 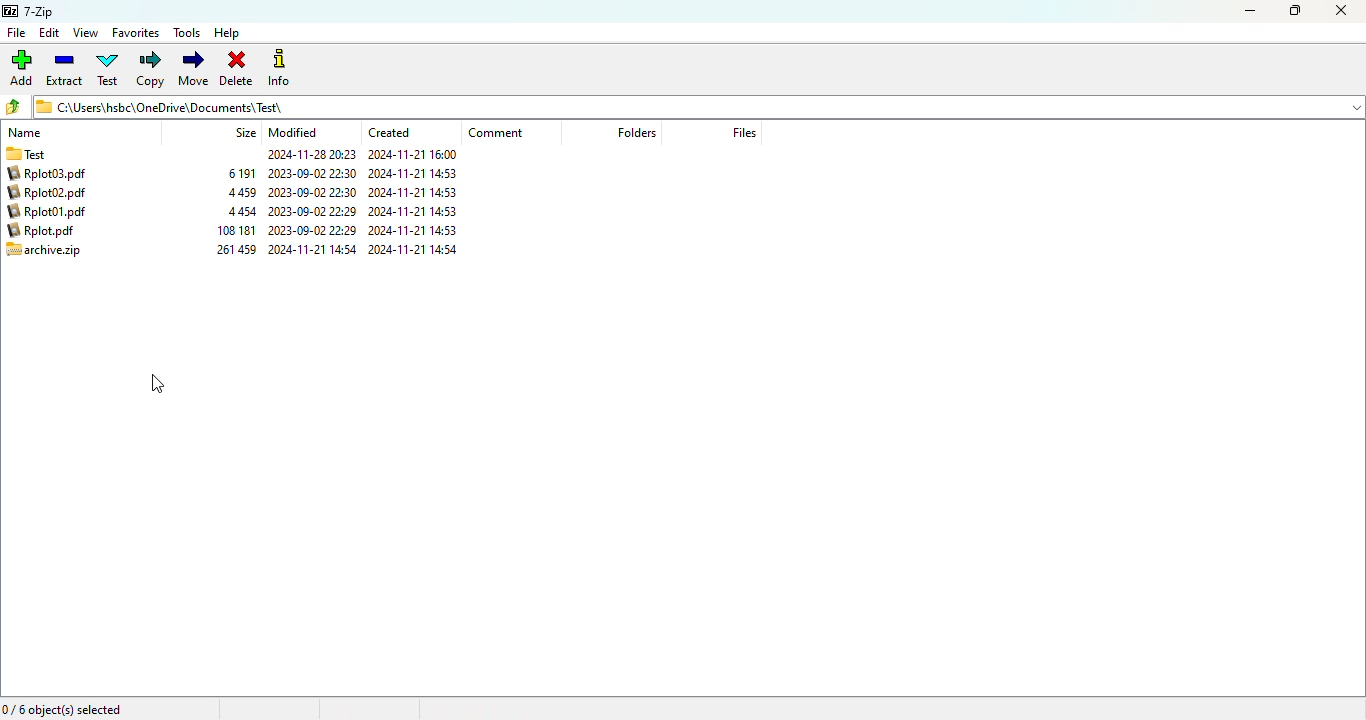 What do you see at coordinates (313, 193) in the screenshot?
I see `2023-09-02 22:30` at bounding box center [313, 193].